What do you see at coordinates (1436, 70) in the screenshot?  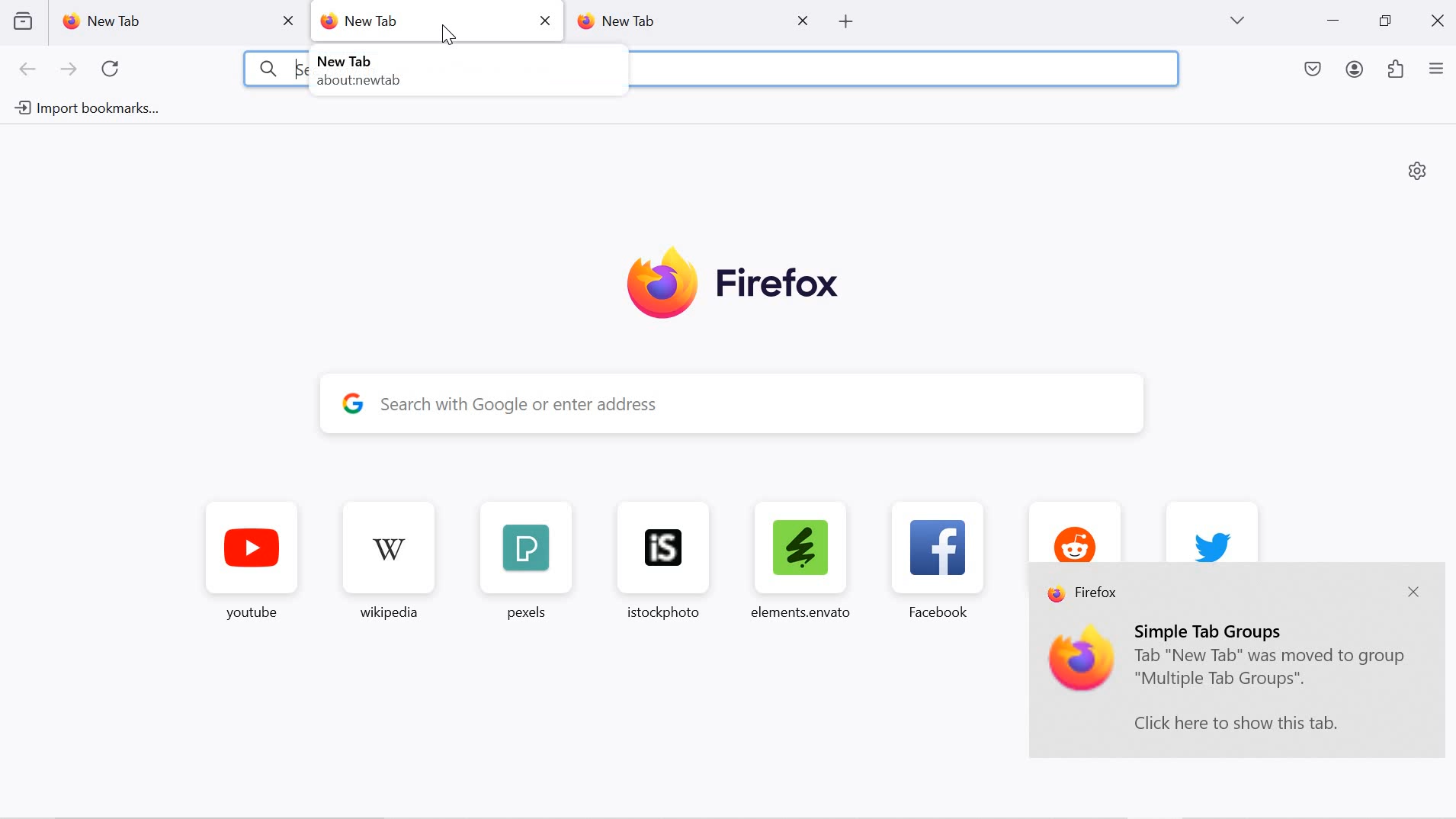 I see `application menu` at bounding box center [1436, 70].